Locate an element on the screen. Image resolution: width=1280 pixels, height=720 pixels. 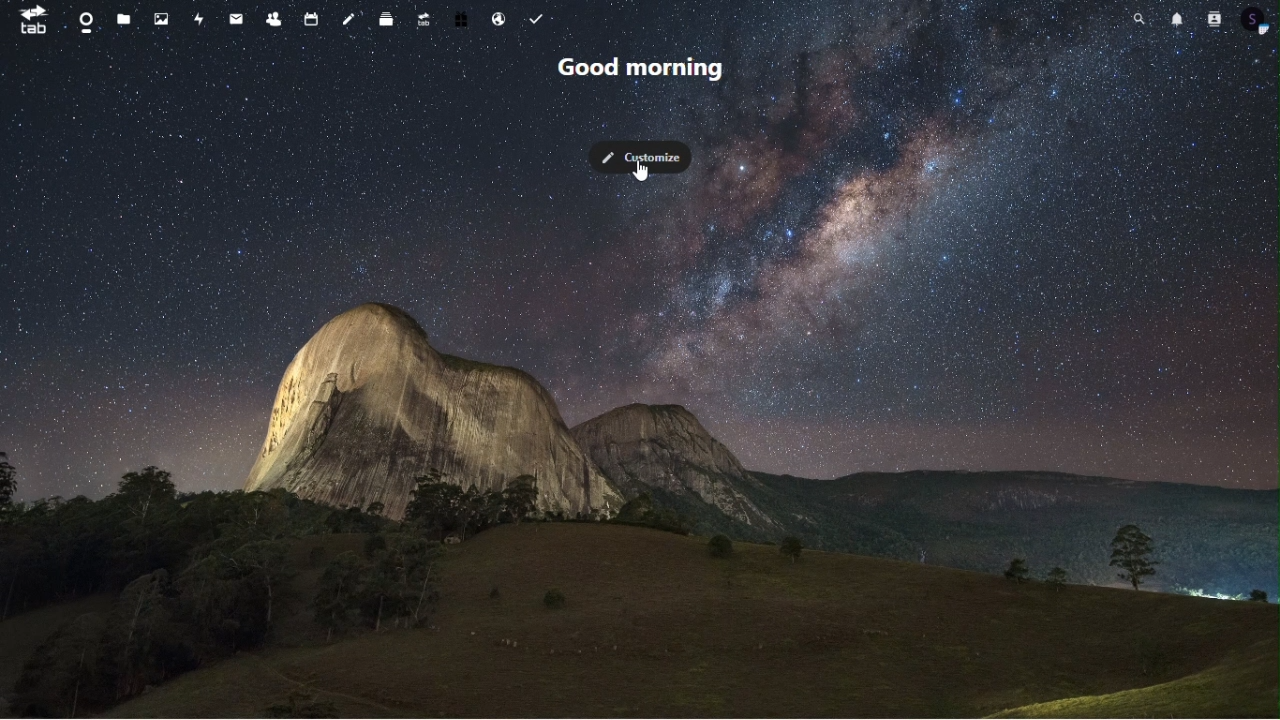
calendar is located at coordinates (309, 20).